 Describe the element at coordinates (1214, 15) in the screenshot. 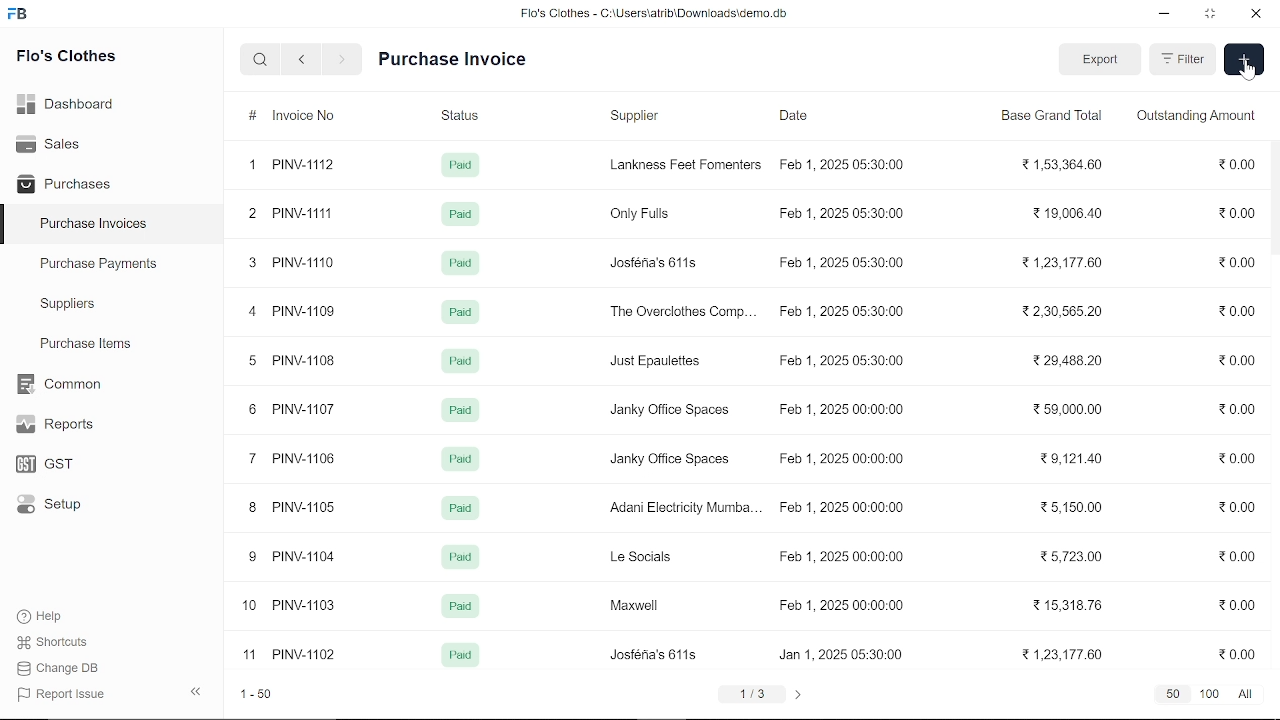

I see `restore down` at that location.